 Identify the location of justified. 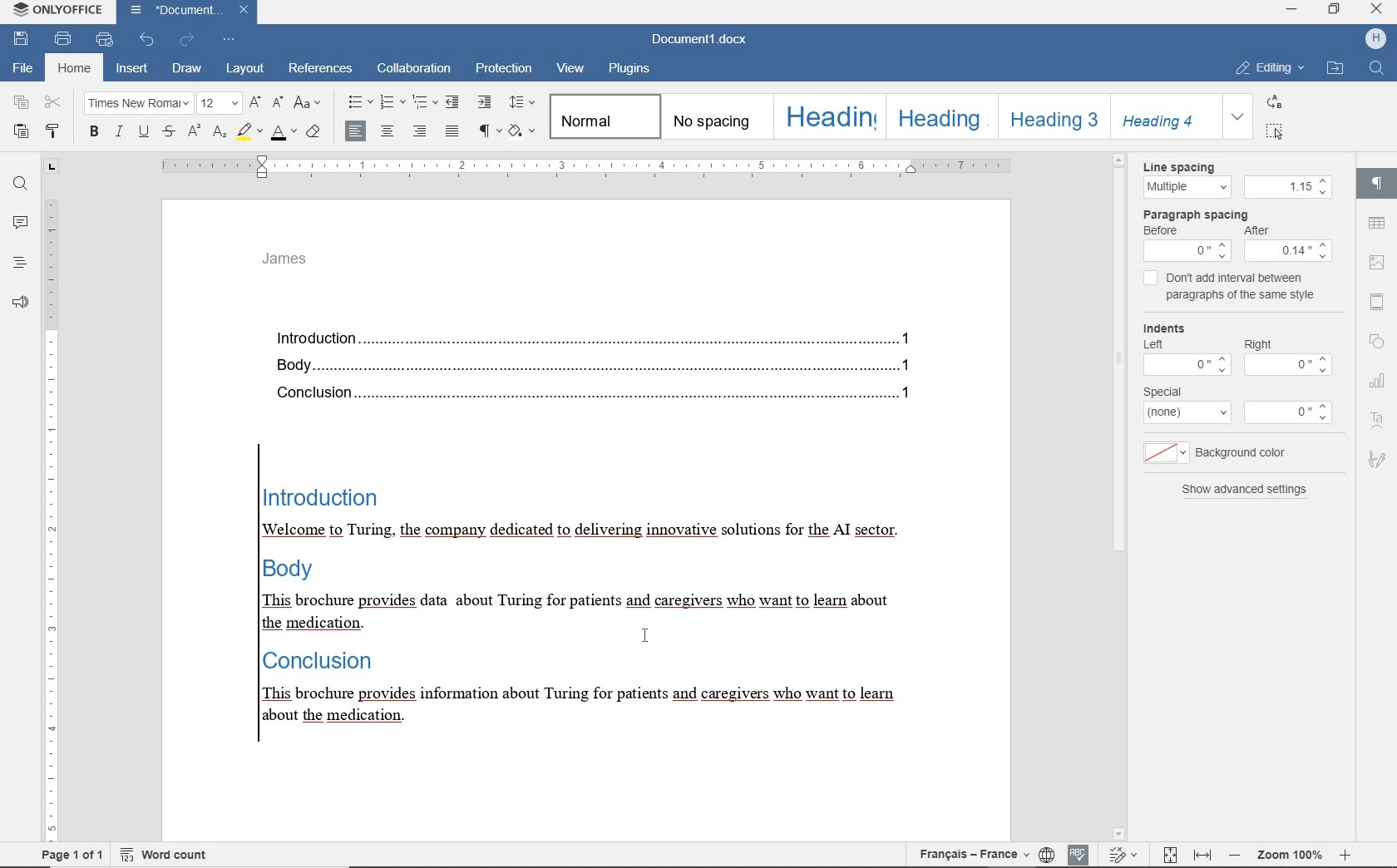
(452, 131).